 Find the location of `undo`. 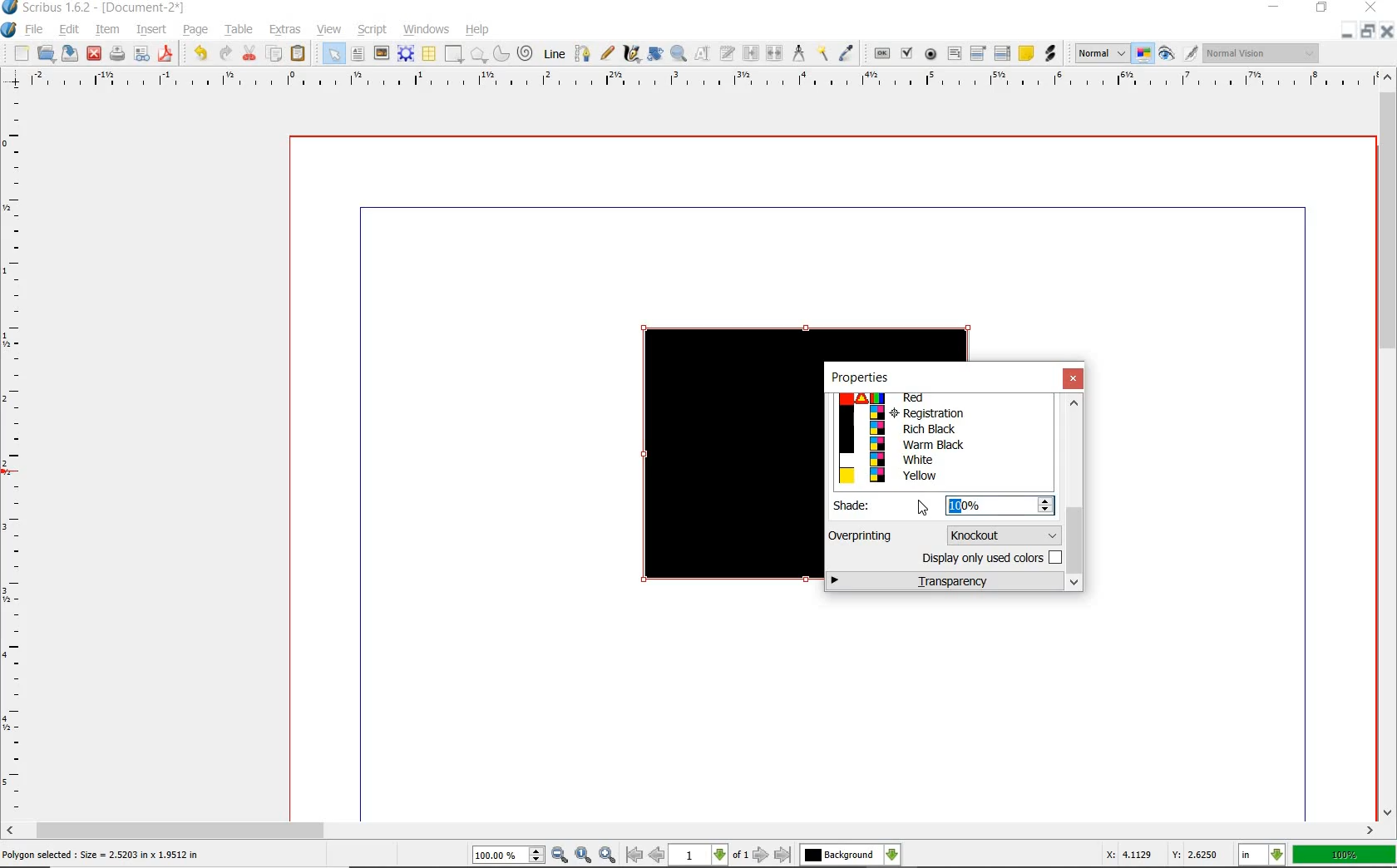

undo is located at coordinates (200, 55).